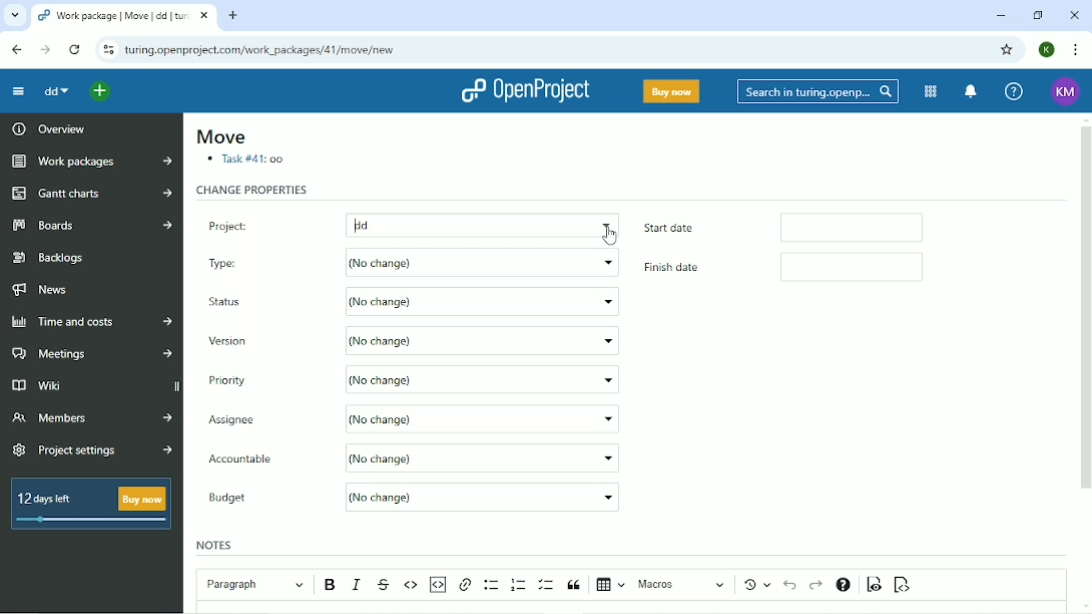 The width and height of the screenshot is (1092, 614). I want to click on Macros, so click(683, 584).